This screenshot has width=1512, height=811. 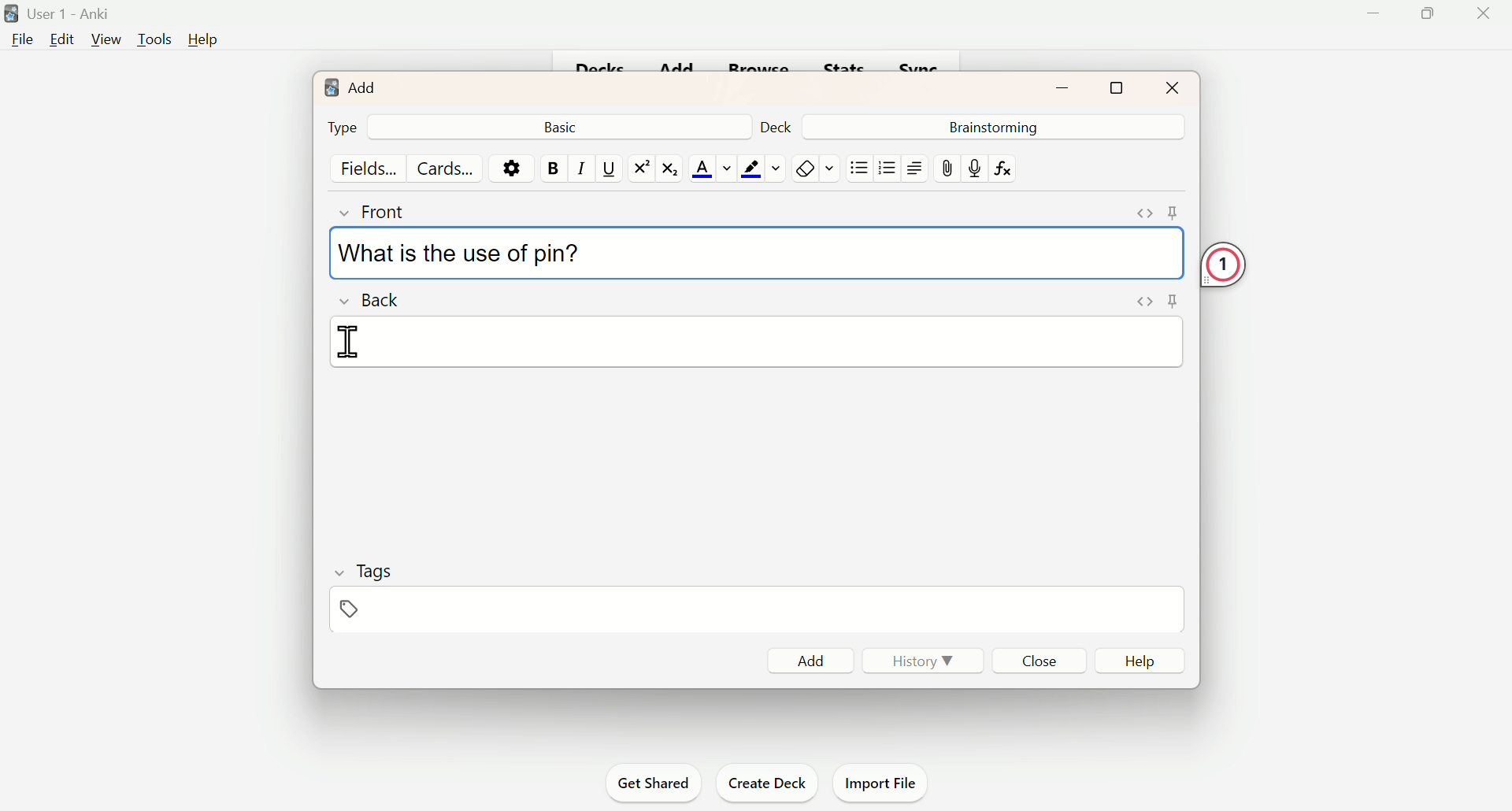 What do you see at coordinates (764, 781) in the screenshot?
I see `Create Deck` at bounding box center [764, 781].